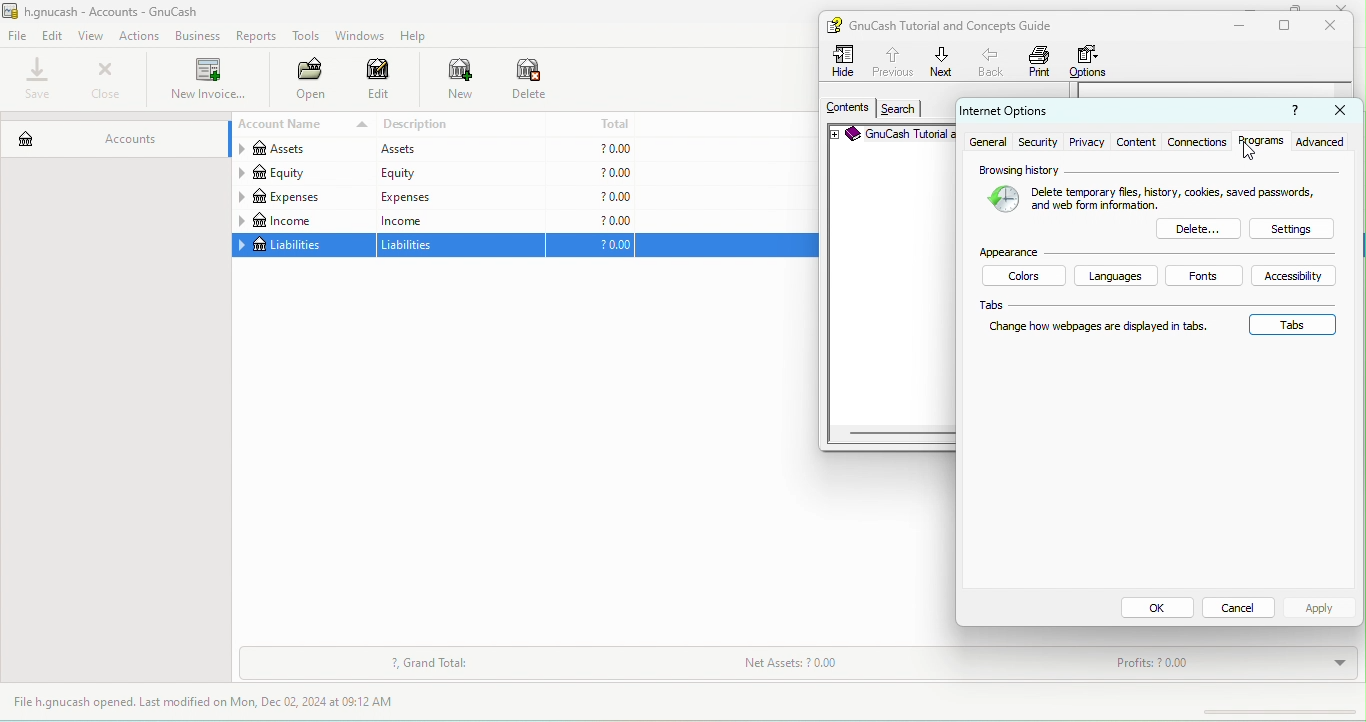 The height and width of the screenshot is (722, 1366). I want to click on apply, so click(1319, 608).